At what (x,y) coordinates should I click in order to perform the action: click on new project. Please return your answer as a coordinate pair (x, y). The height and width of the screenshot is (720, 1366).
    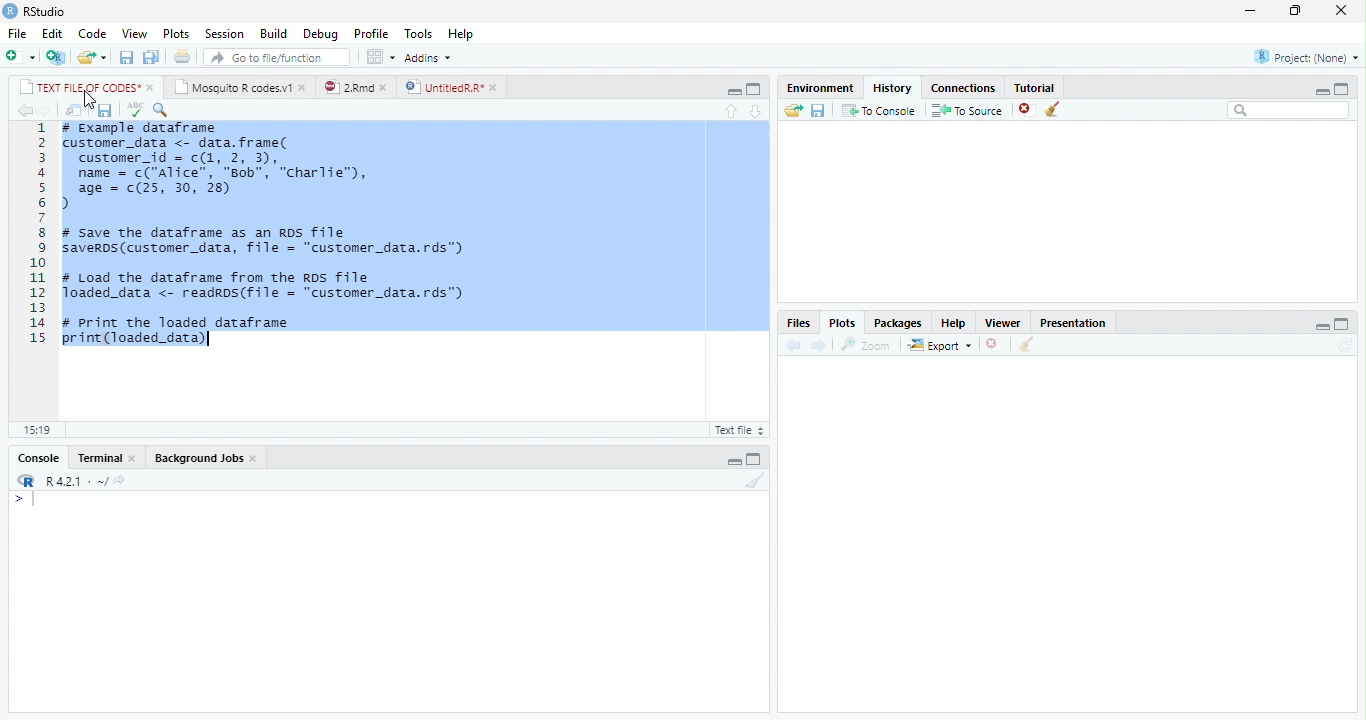
    Looking at the image, I should click on (57, 57).